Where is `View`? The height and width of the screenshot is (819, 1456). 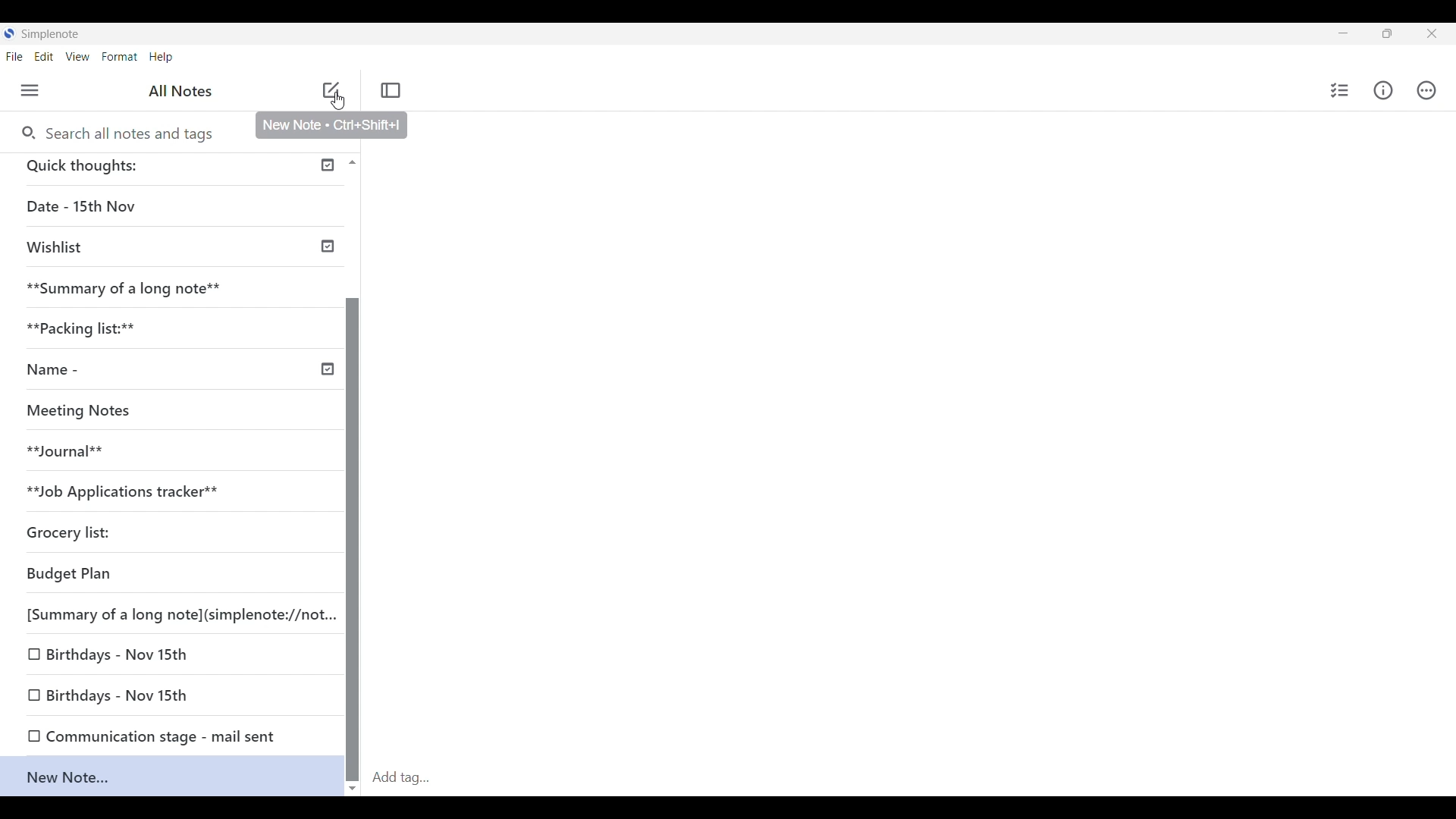 View is located at coordinates (78, 57).